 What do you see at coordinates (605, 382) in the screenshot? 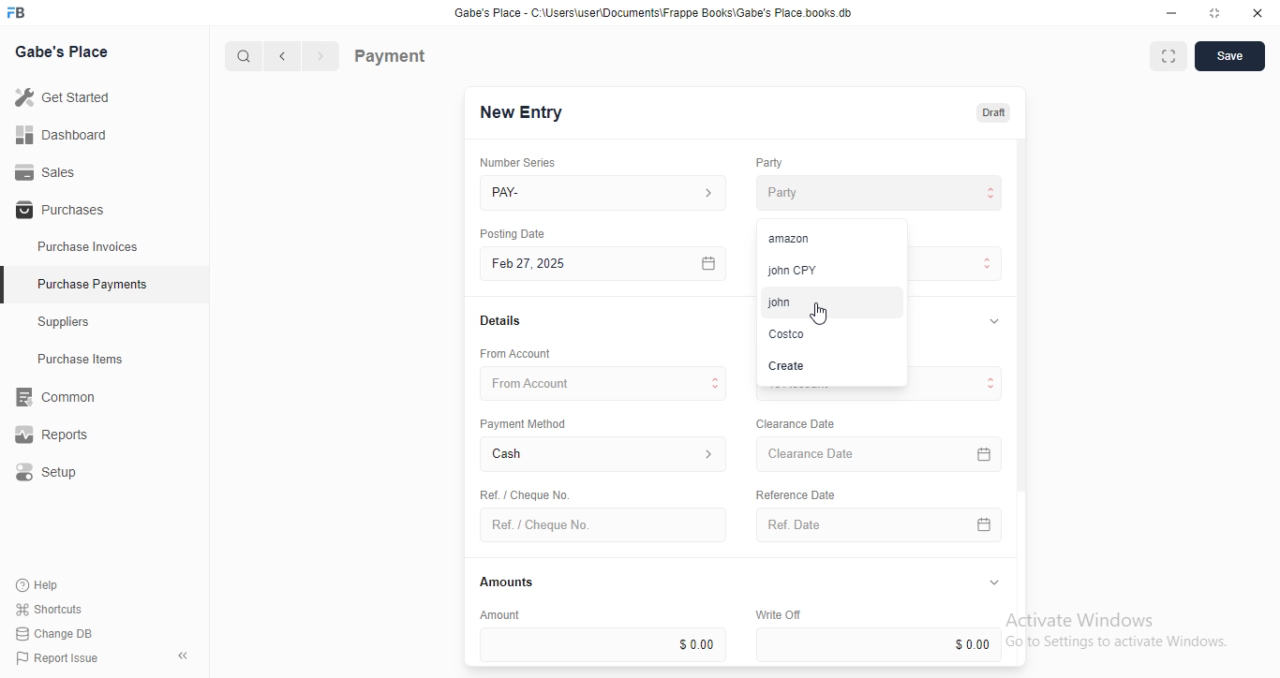
I see `From Account` at bounding box center [605, 382].